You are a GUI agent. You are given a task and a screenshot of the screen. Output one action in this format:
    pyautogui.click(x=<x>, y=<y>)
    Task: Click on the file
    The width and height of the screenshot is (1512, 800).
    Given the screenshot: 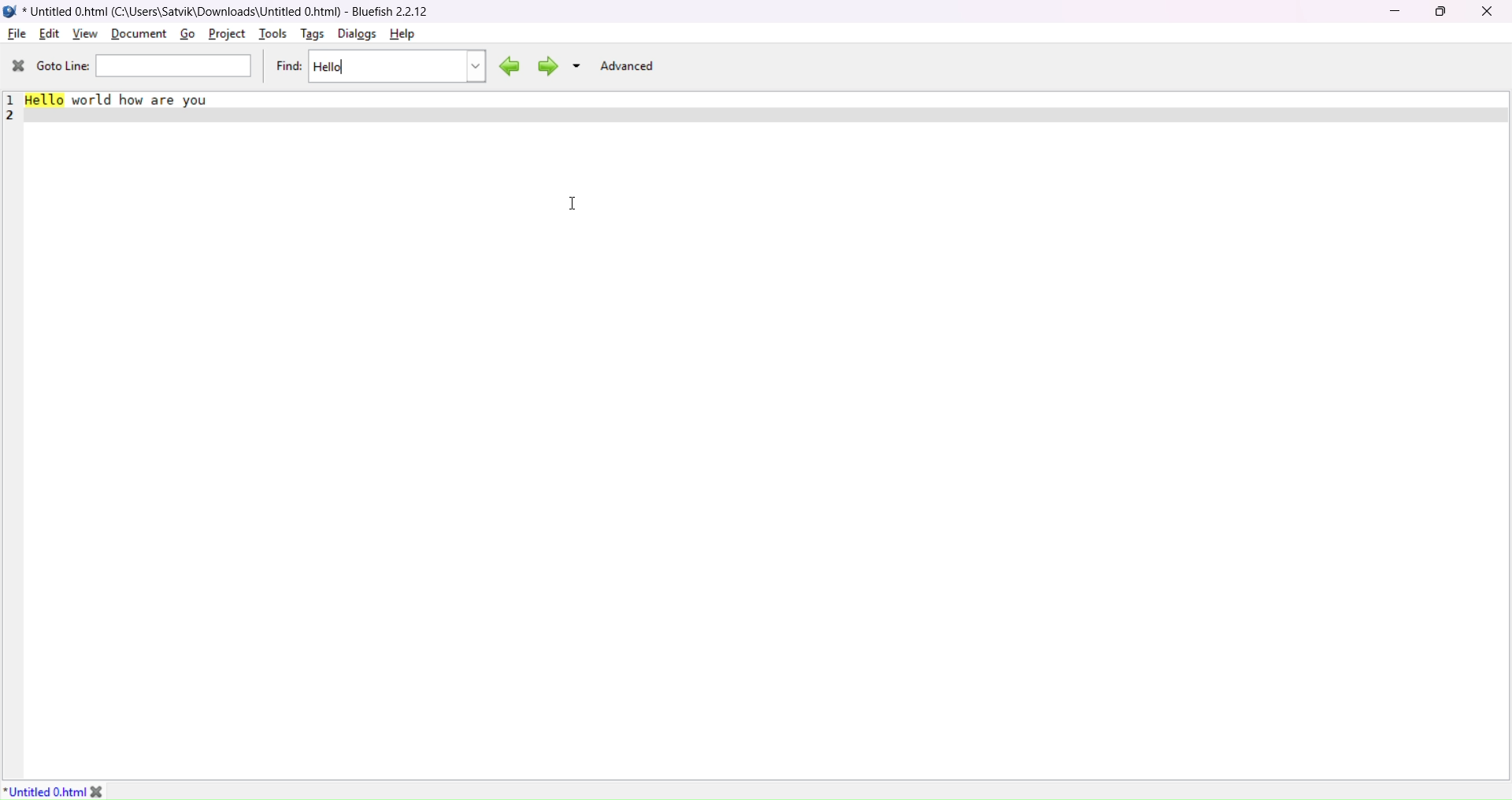 What is the action you would take?
    pyautogui.click(x=18, y=34)
    